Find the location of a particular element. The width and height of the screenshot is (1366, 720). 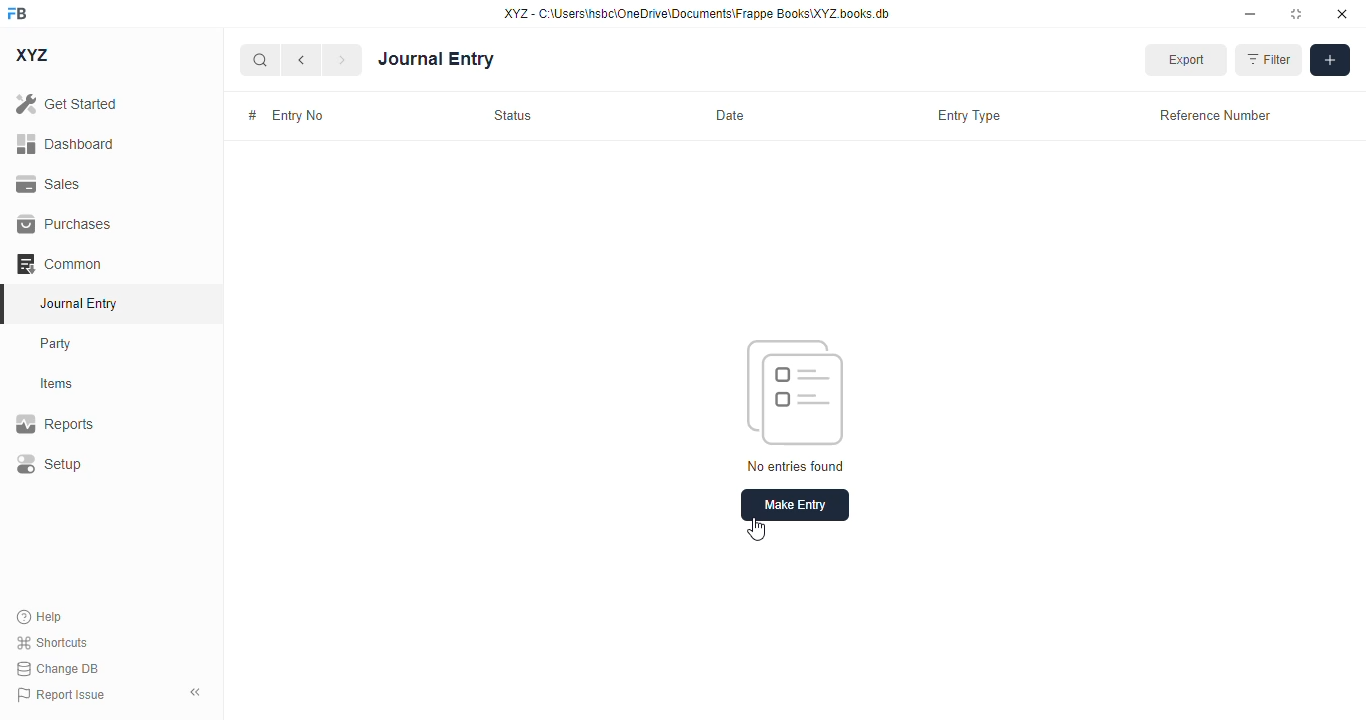

filter is located at coordinates (1267, 60).